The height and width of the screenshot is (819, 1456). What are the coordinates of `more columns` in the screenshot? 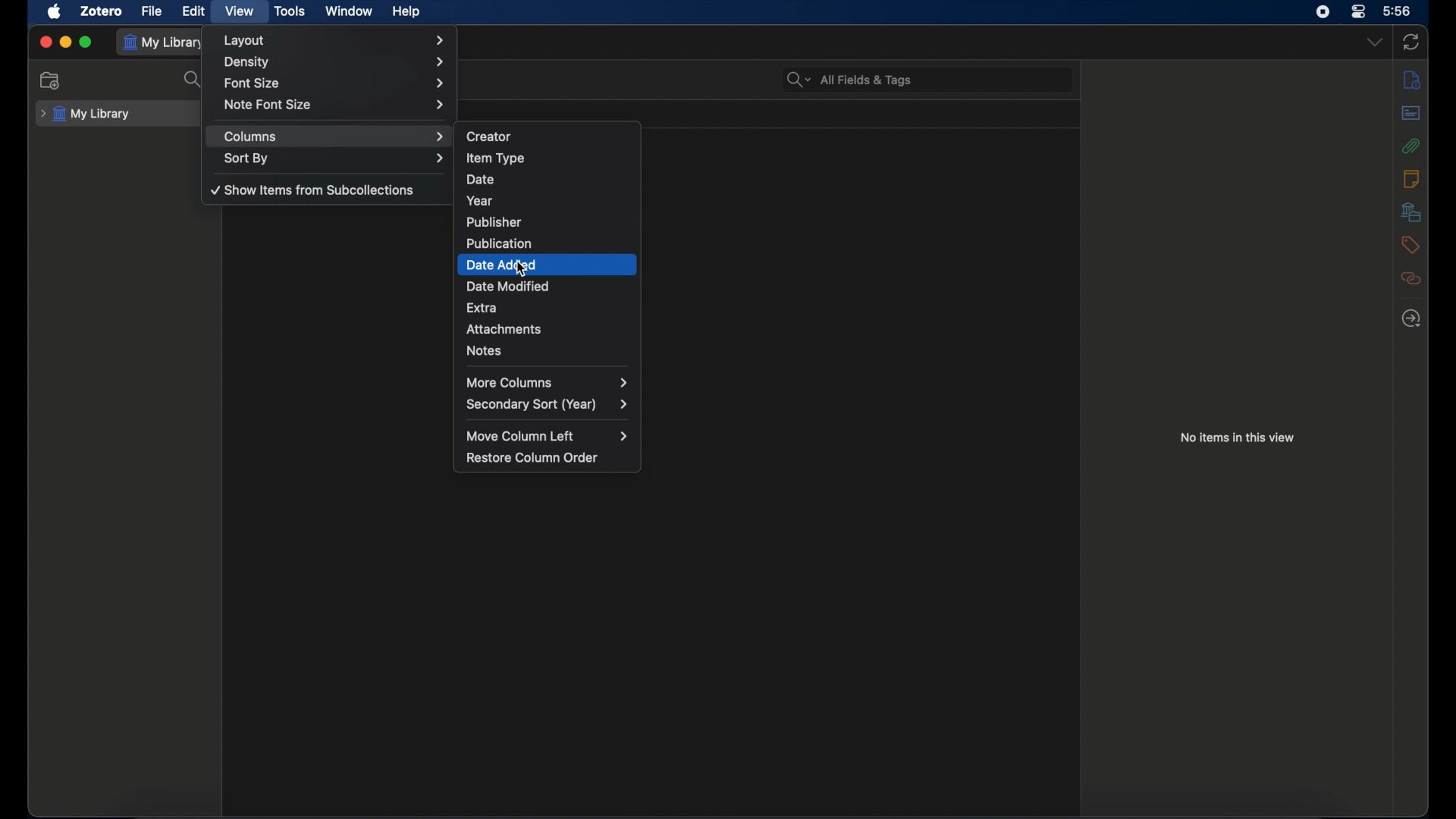 It's located at (546, 382).